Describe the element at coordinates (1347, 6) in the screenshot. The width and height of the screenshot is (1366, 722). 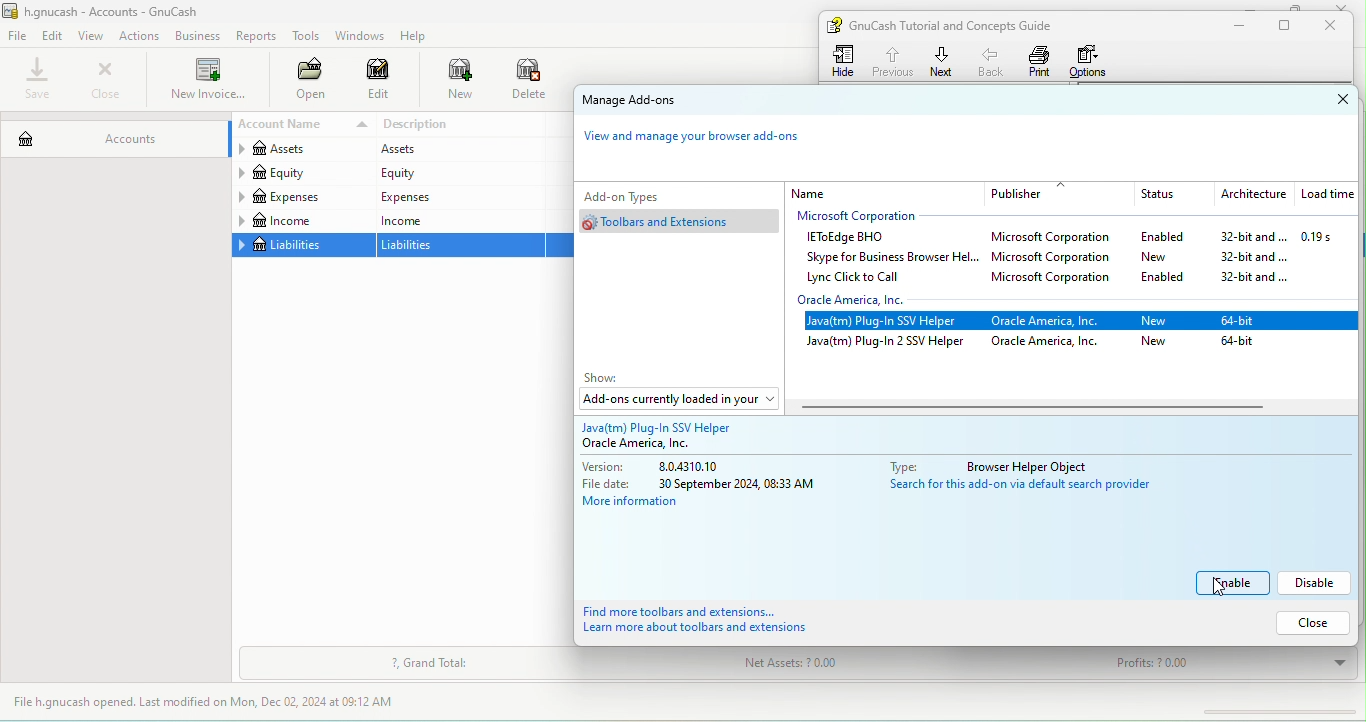
I see `close` at that location.